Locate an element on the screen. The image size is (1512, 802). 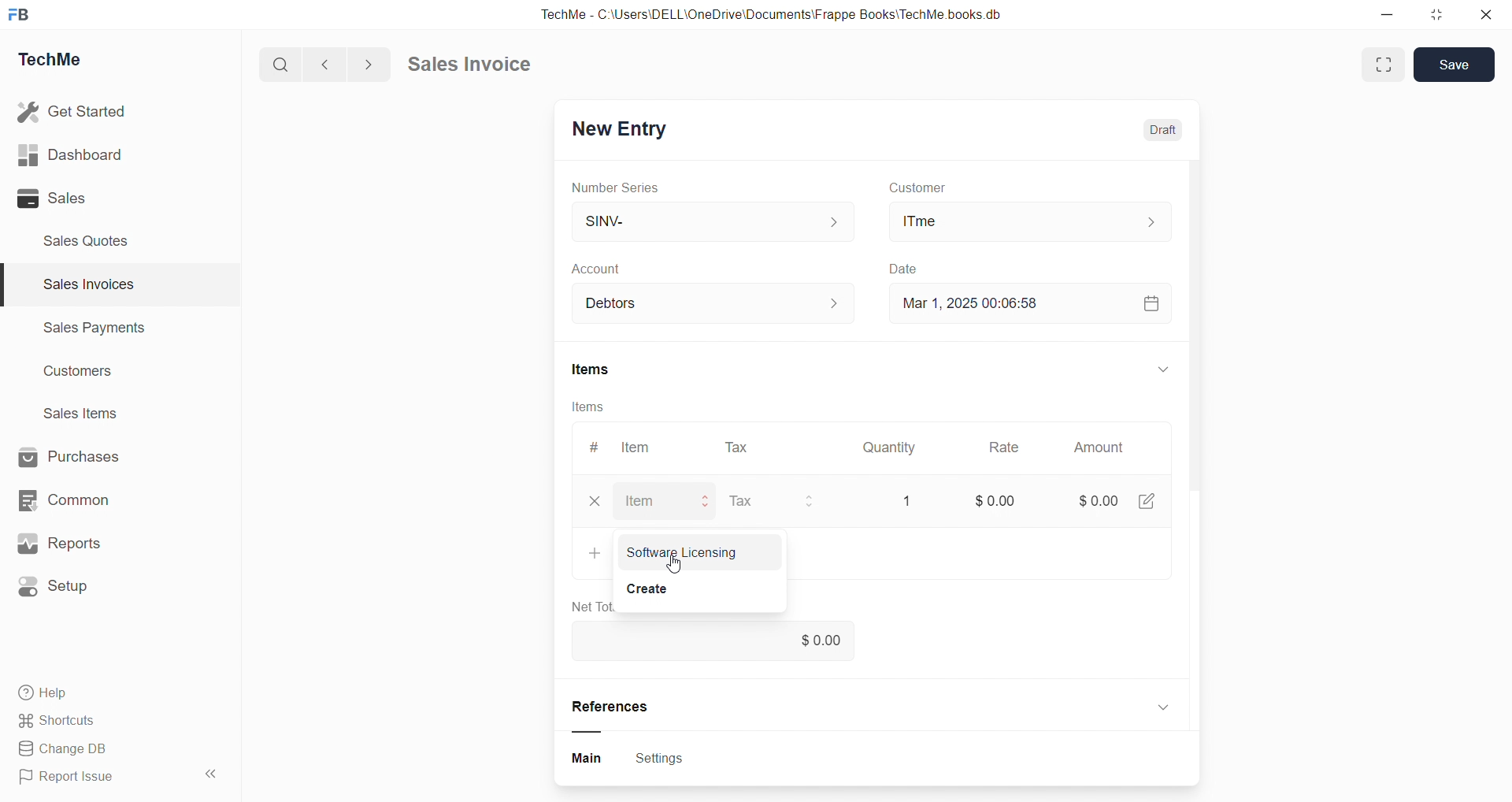
 Item is located at coordinates (632, 498).